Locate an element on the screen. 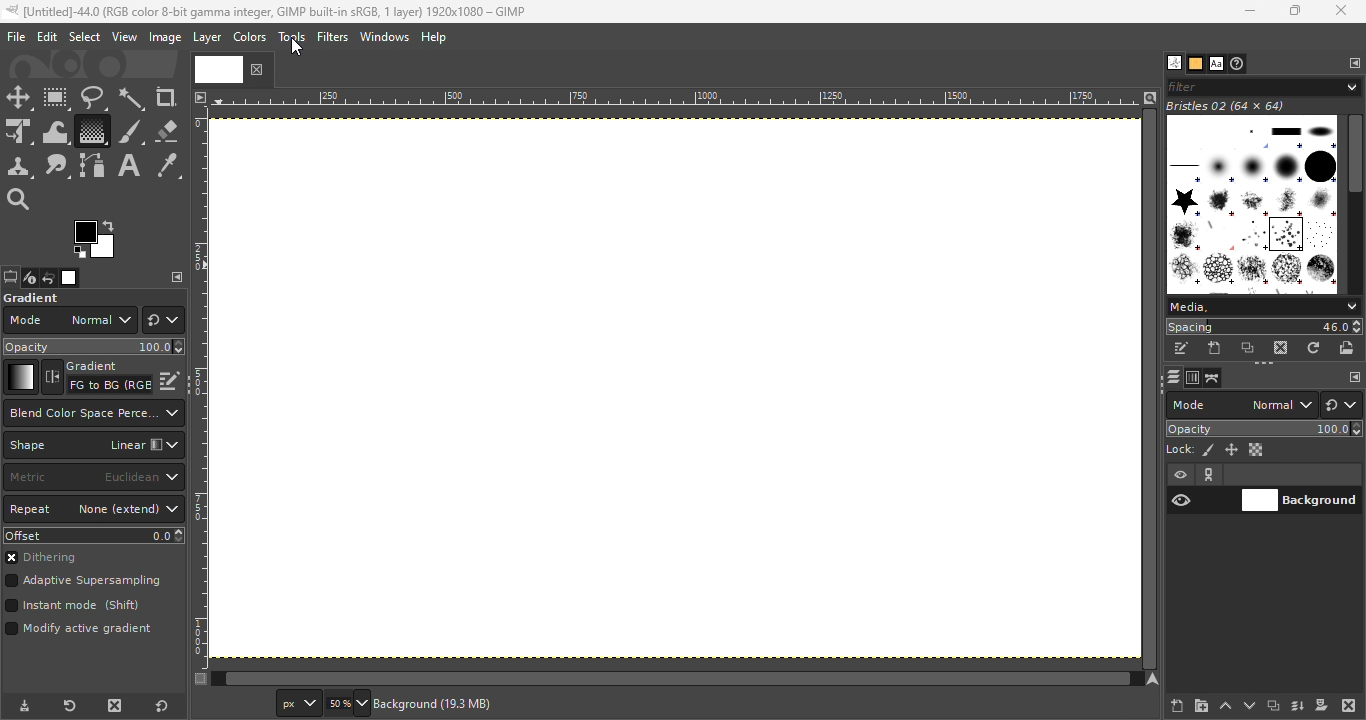  Edit this gradient is located at coordinates (170, 379).